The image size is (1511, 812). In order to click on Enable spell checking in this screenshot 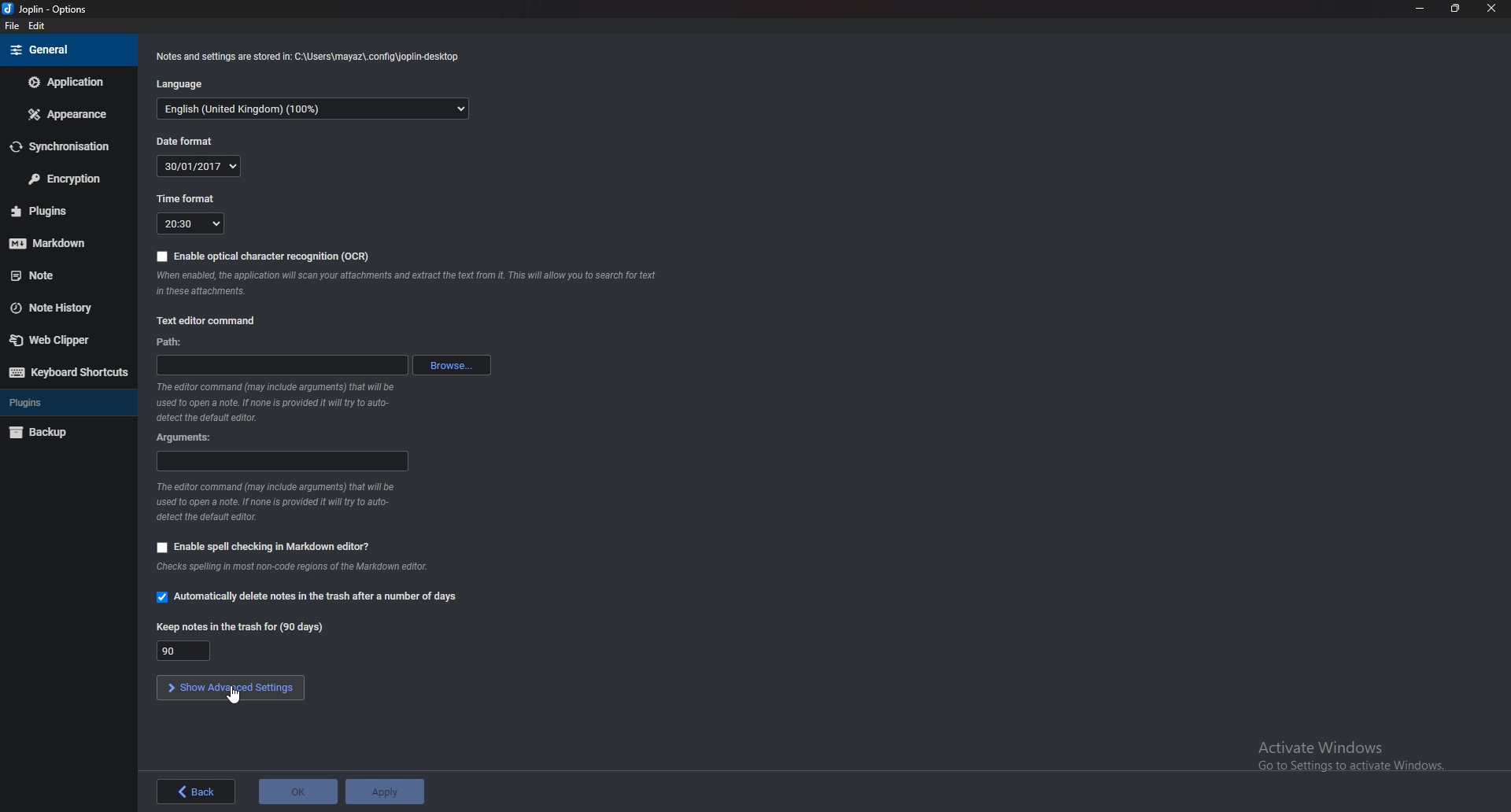, I will do `click(263, 545)`.